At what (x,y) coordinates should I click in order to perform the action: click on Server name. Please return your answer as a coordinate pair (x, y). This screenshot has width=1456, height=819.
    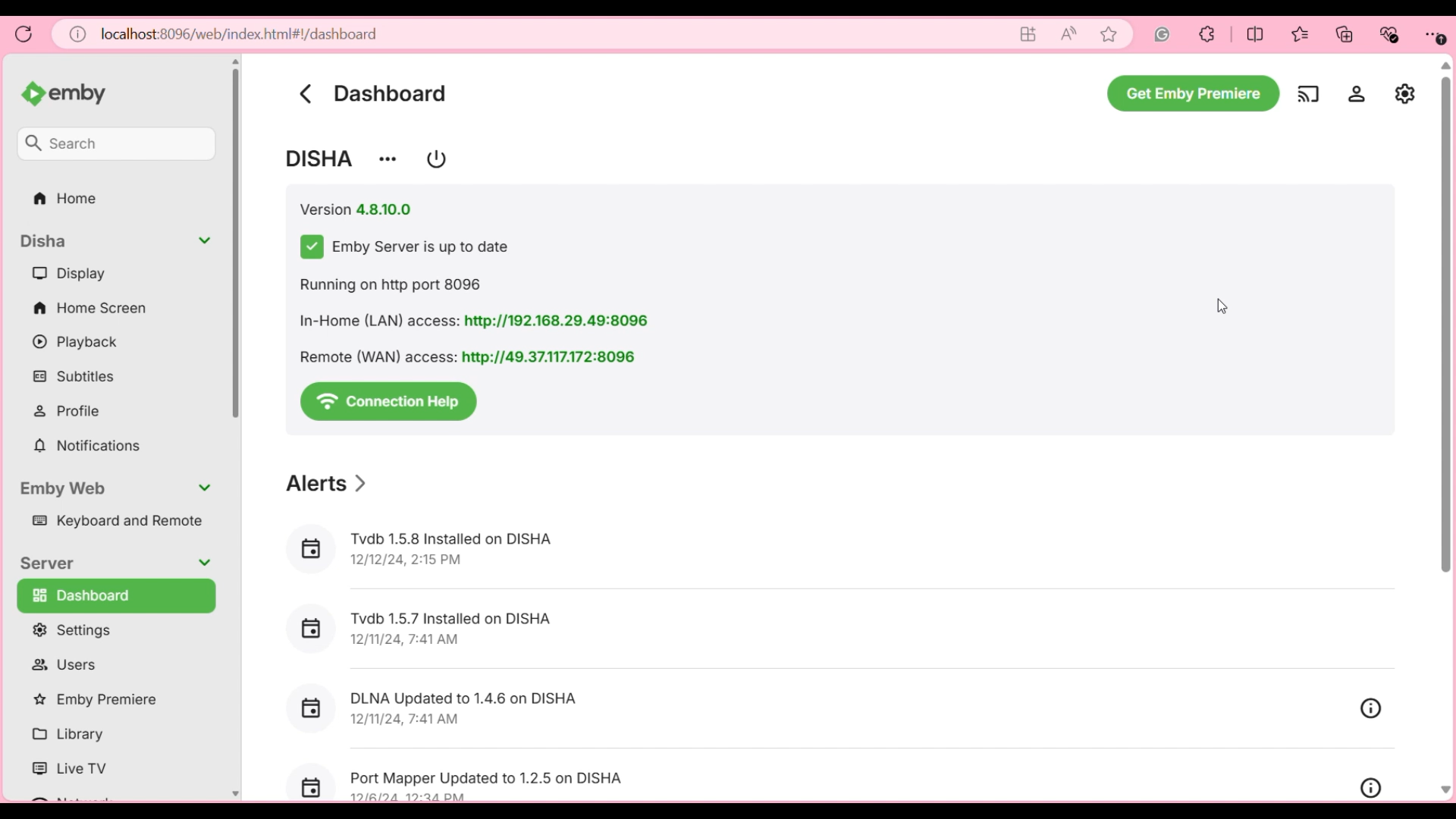
    Looking at the image, I should click on (321, 158).